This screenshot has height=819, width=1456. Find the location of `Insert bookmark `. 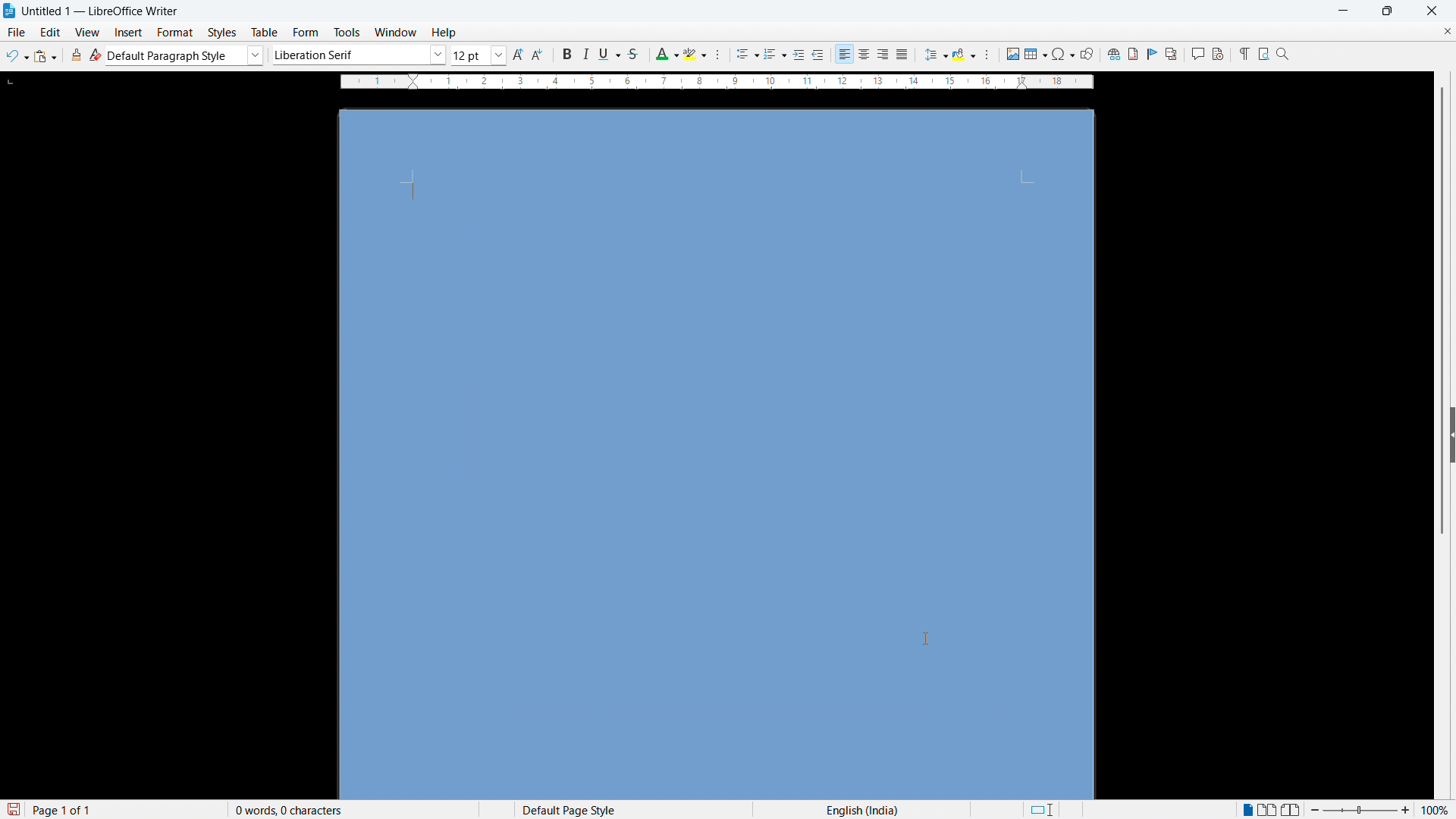

Insert bookmark  is located at coordinates (1153, 53).